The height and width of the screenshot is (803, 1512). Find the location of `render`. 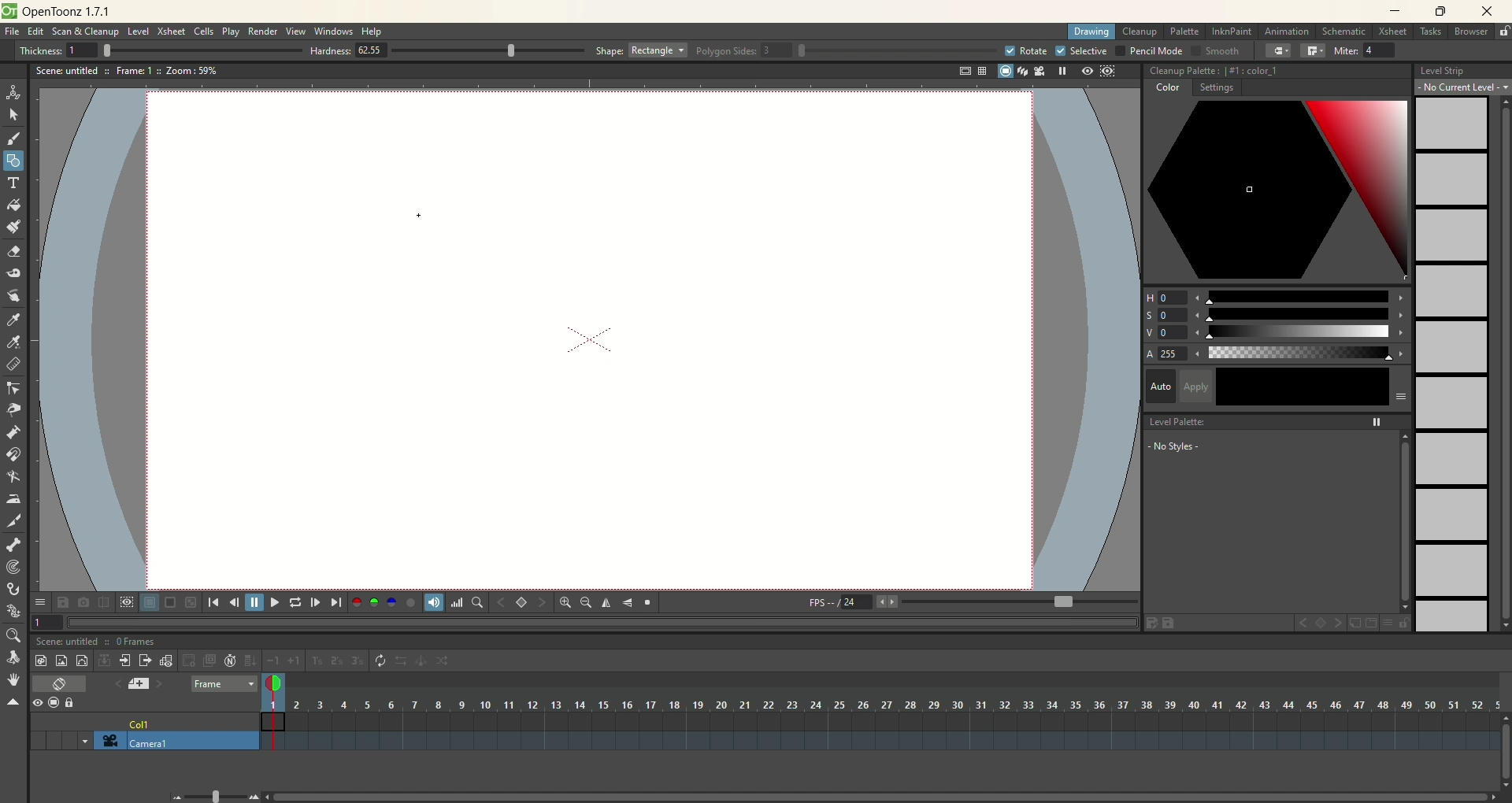

render is located at coordinates (264, 32).